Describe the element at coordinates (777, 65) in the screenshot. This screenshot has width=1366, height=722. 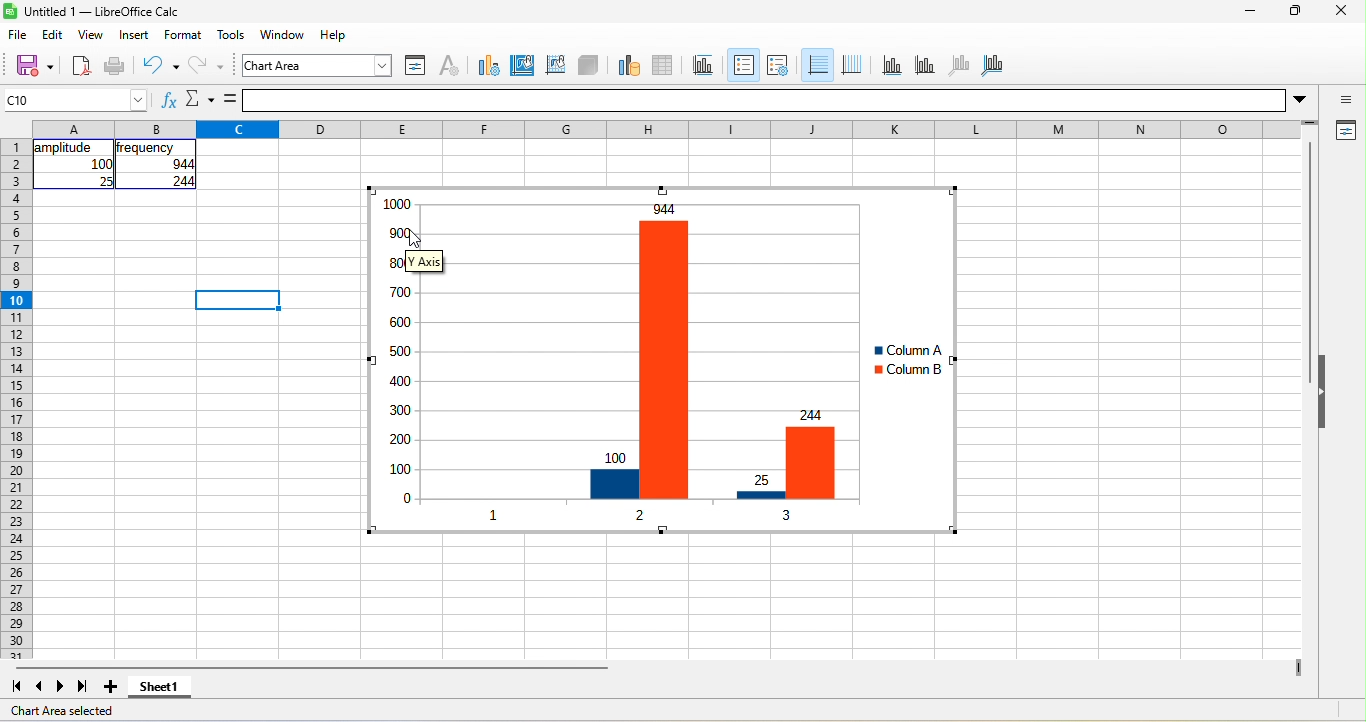
I see `legend` at that location.